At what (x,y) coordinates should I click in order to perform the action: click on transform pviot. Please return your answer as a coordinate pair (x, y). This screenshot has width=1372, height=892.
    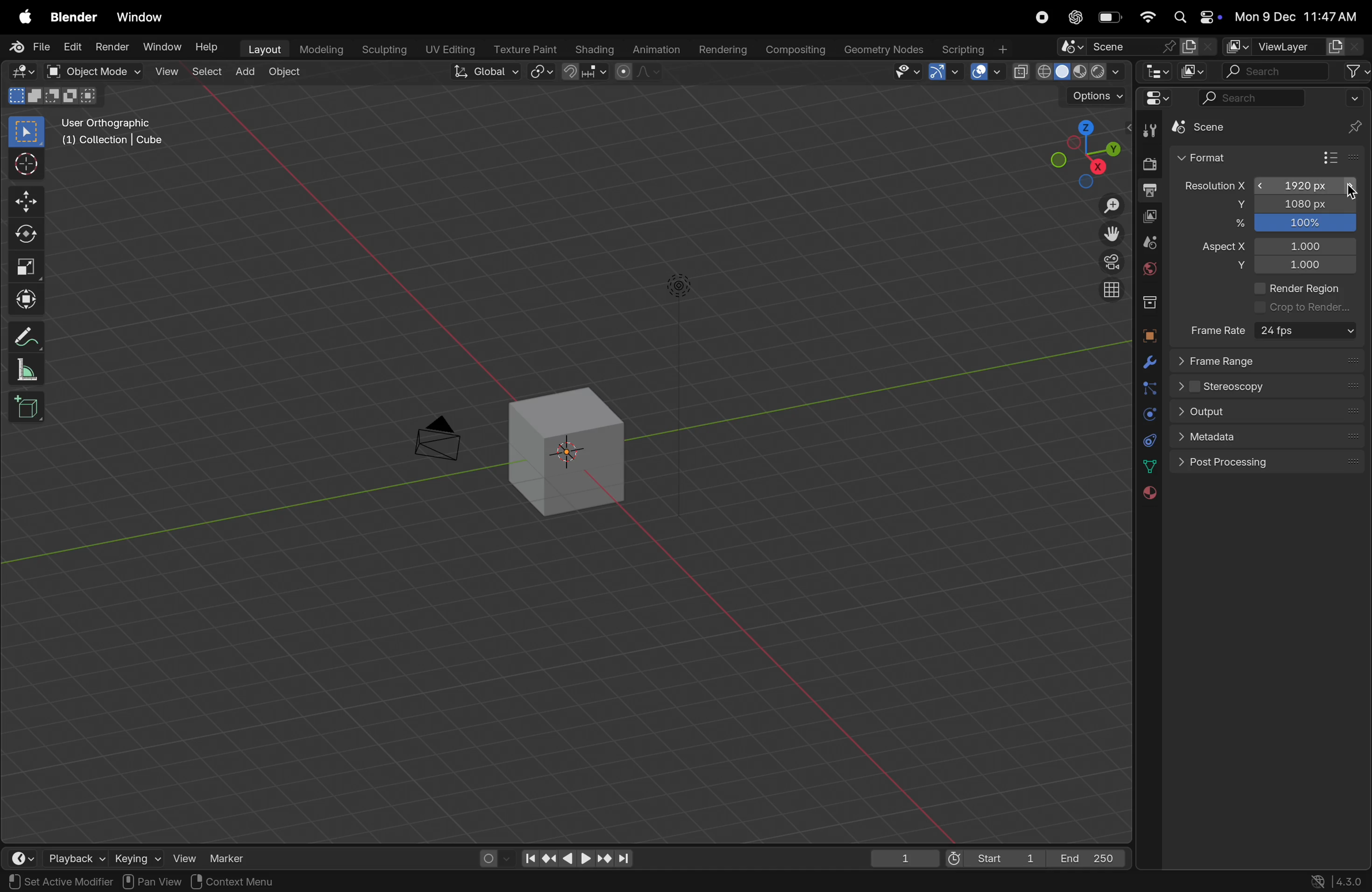
    Looking at the image, I should click on (543, 71).